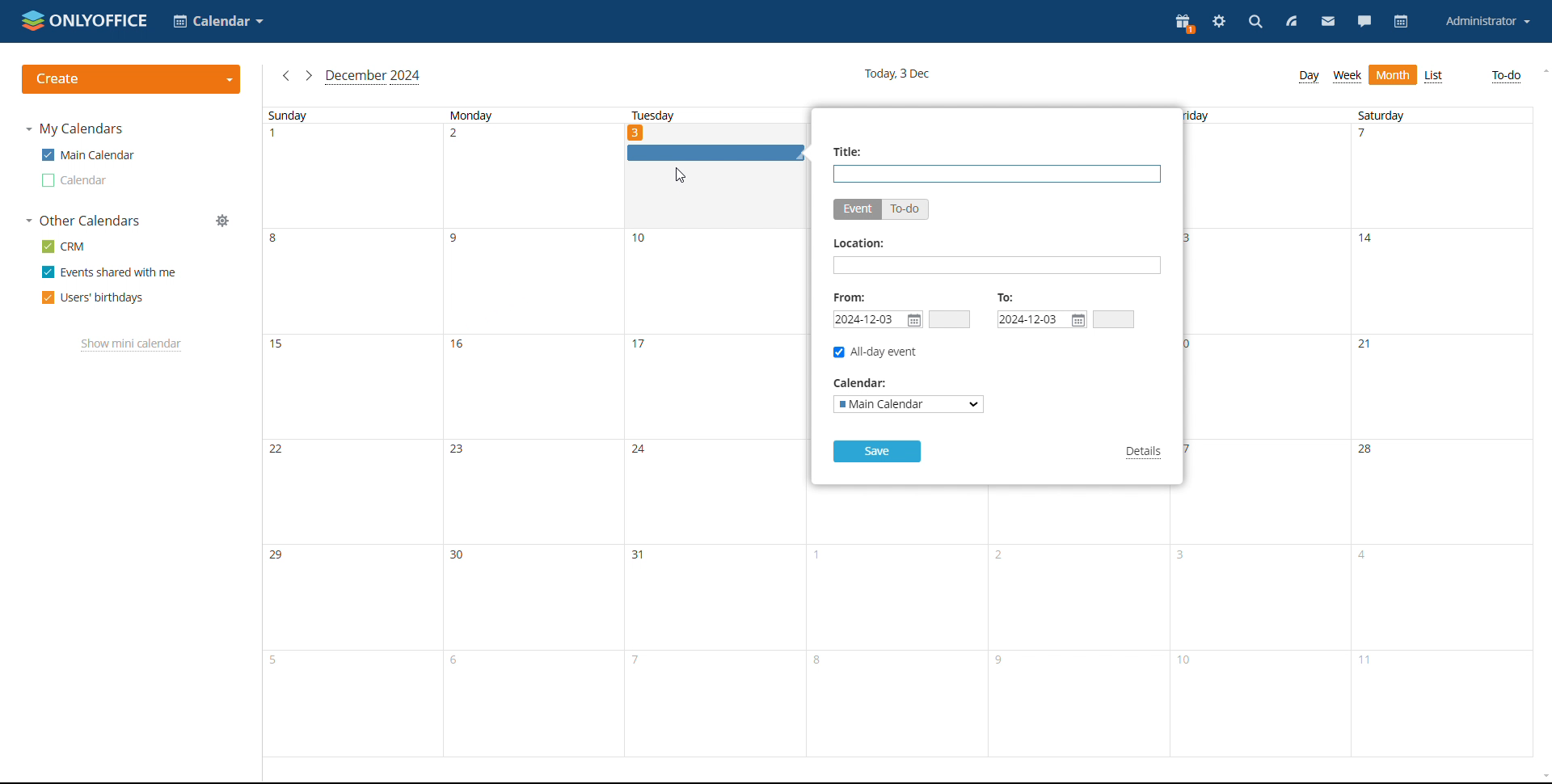 The width and height of the screenshot is (1552, 784). Describe the element at coordinates (373, 77) in the screenshot. I see `current month` at that location.